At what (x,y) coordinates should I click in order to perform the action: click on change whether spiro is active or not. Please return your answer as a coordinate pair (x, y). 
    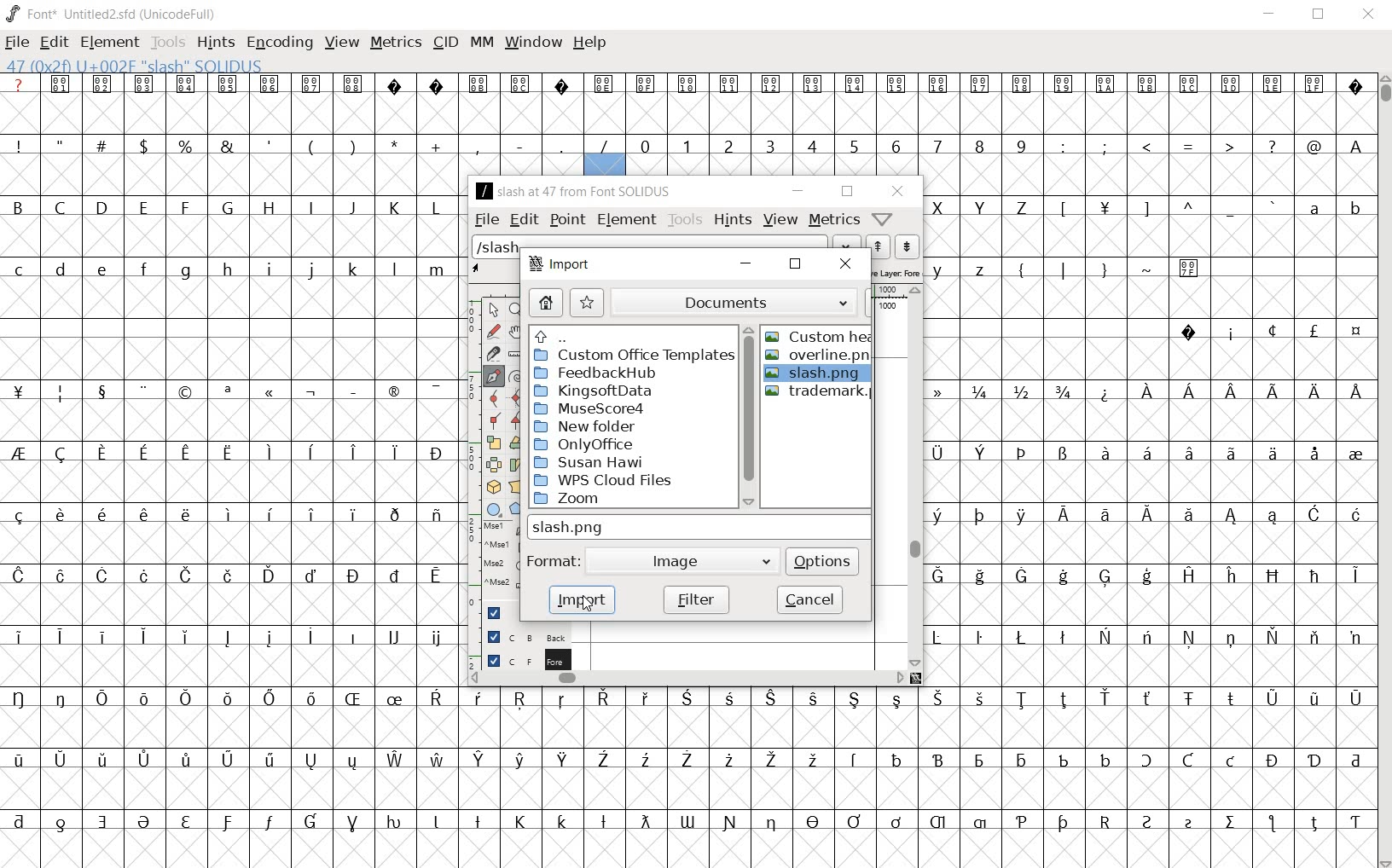
    Looking at the image, I should click on (516, 377).